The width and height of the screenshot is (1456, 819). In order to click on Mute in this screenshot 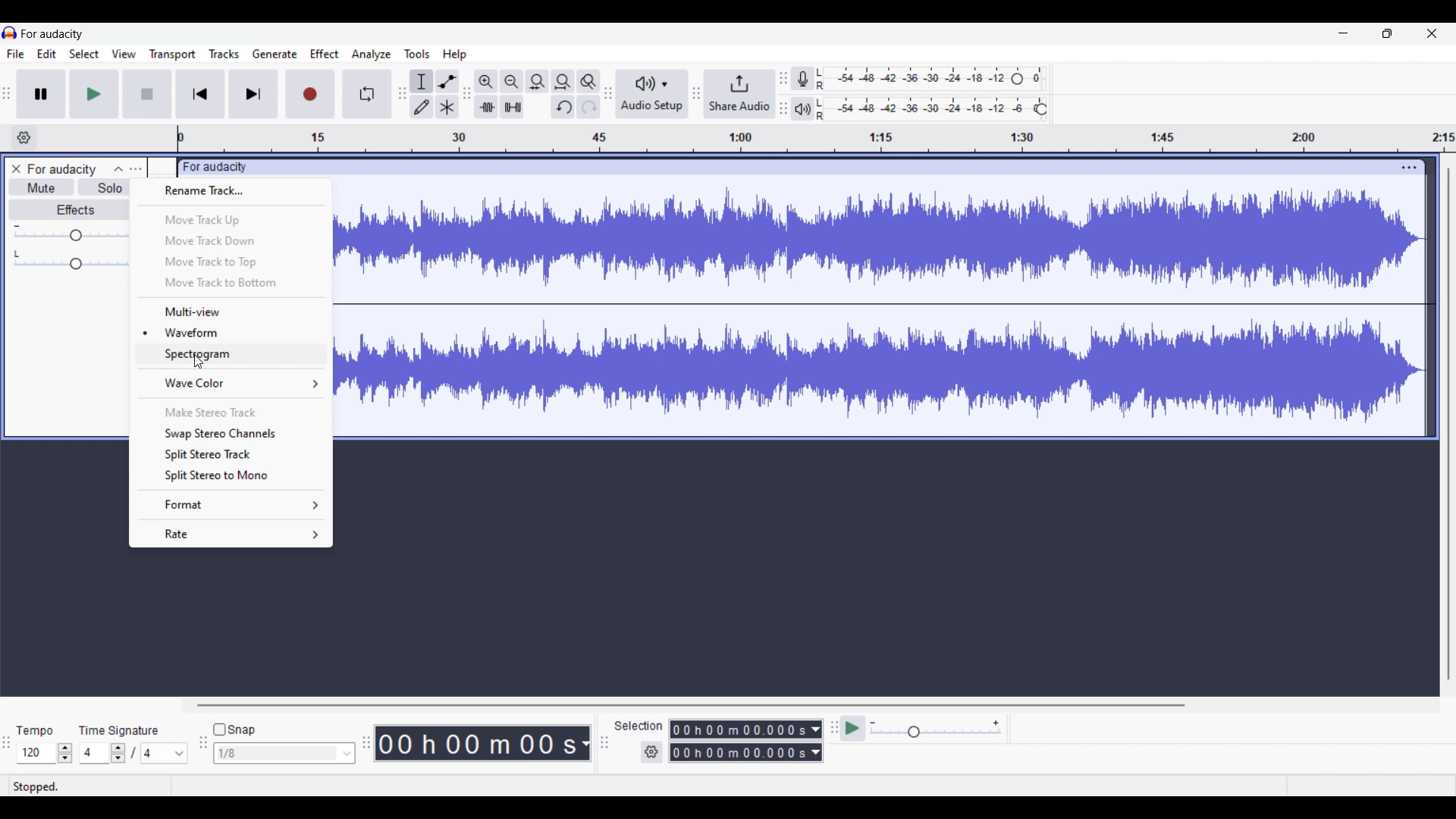, I will do `click(42, 187)`.